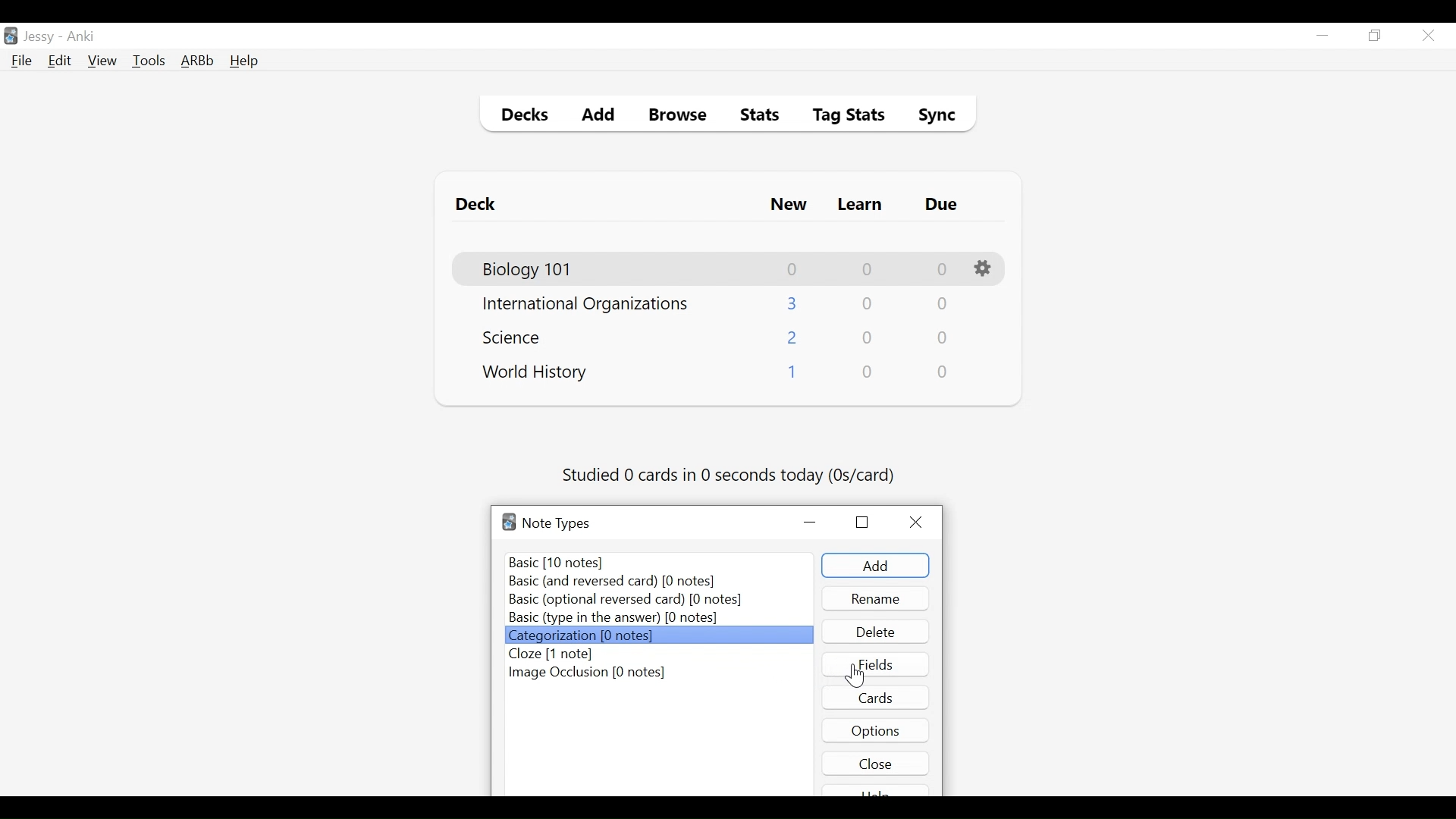 The image size is (1456, 819). Describe the element at coordinates (868, 338) in the screenshot. I see `Learn Card Count` at that location.